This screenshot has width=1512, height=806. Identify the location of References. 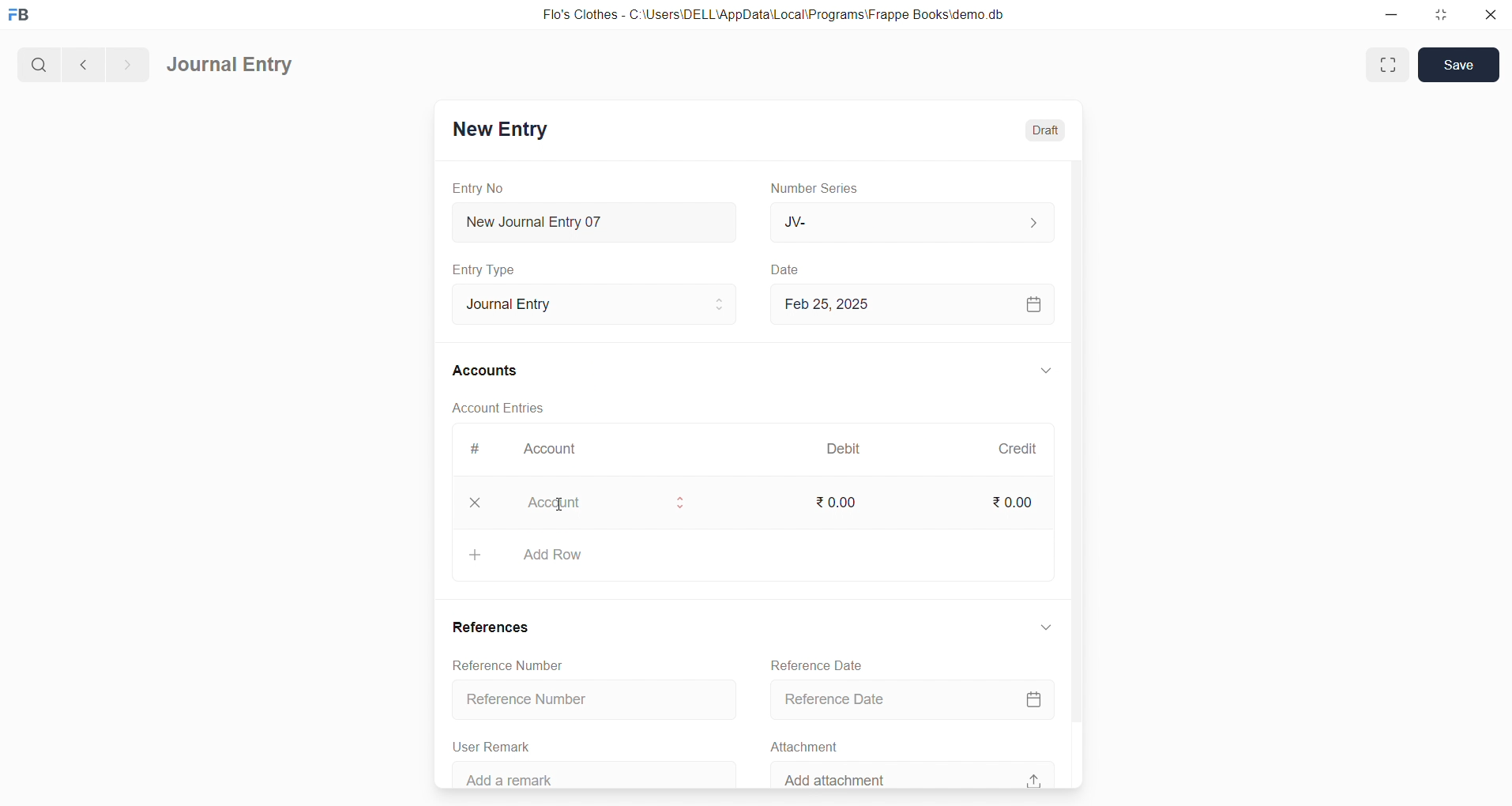
(495, 627).